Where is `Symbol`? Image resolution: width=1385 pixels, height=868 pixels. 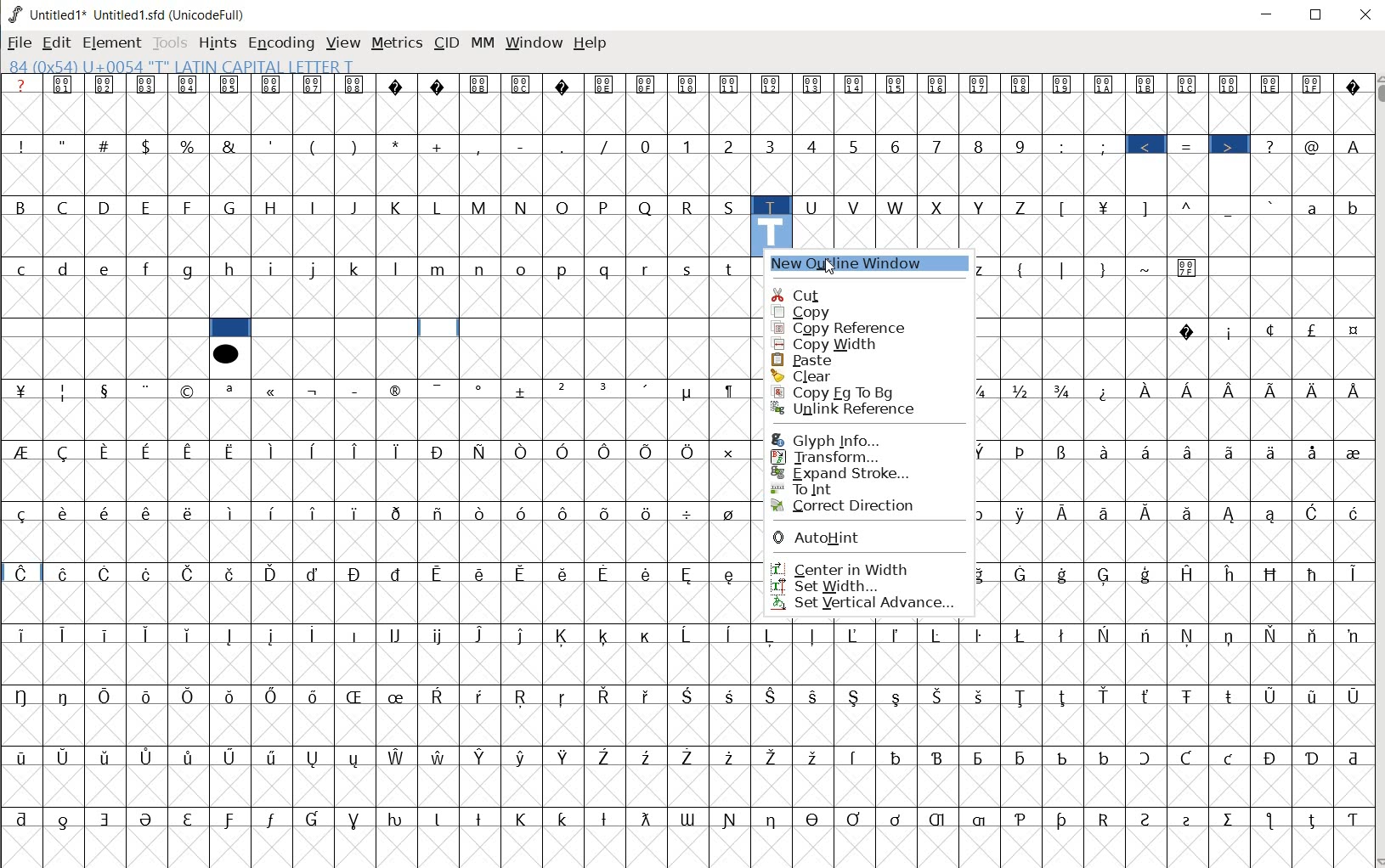 Symbol is located at coordinates (399, 634).